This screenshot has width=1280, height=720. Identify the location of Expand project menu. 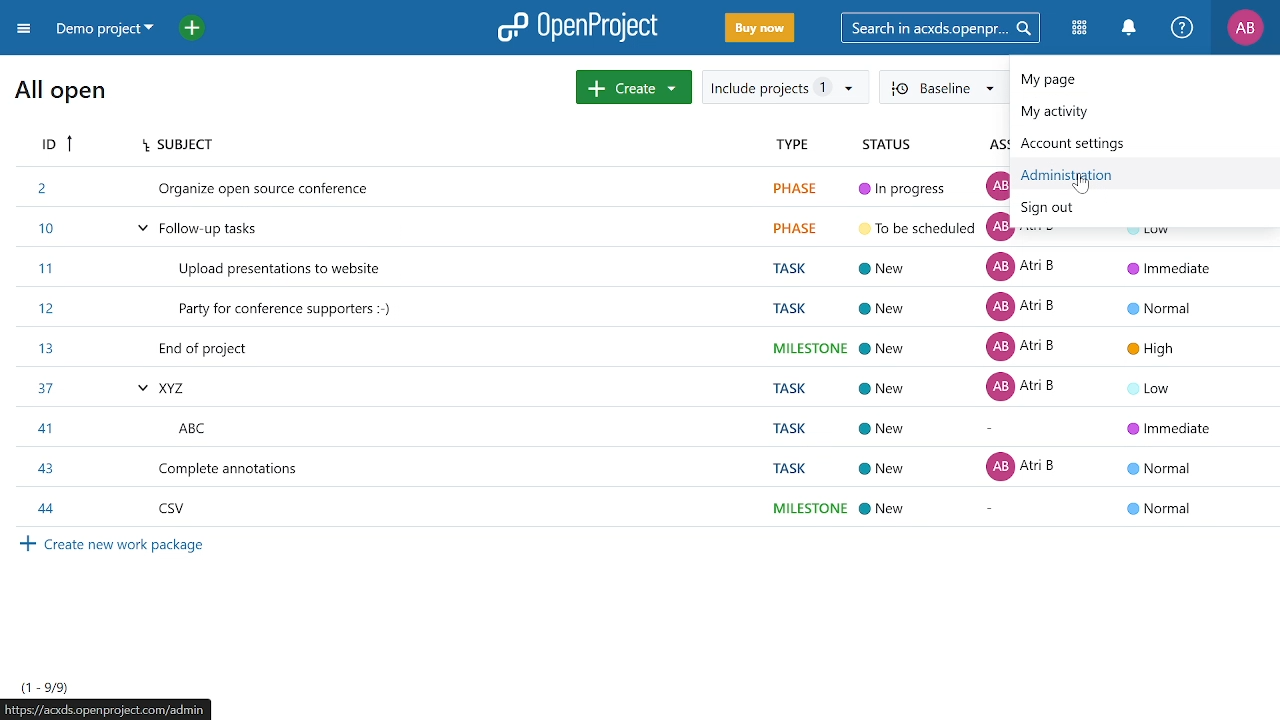
(23, 28).